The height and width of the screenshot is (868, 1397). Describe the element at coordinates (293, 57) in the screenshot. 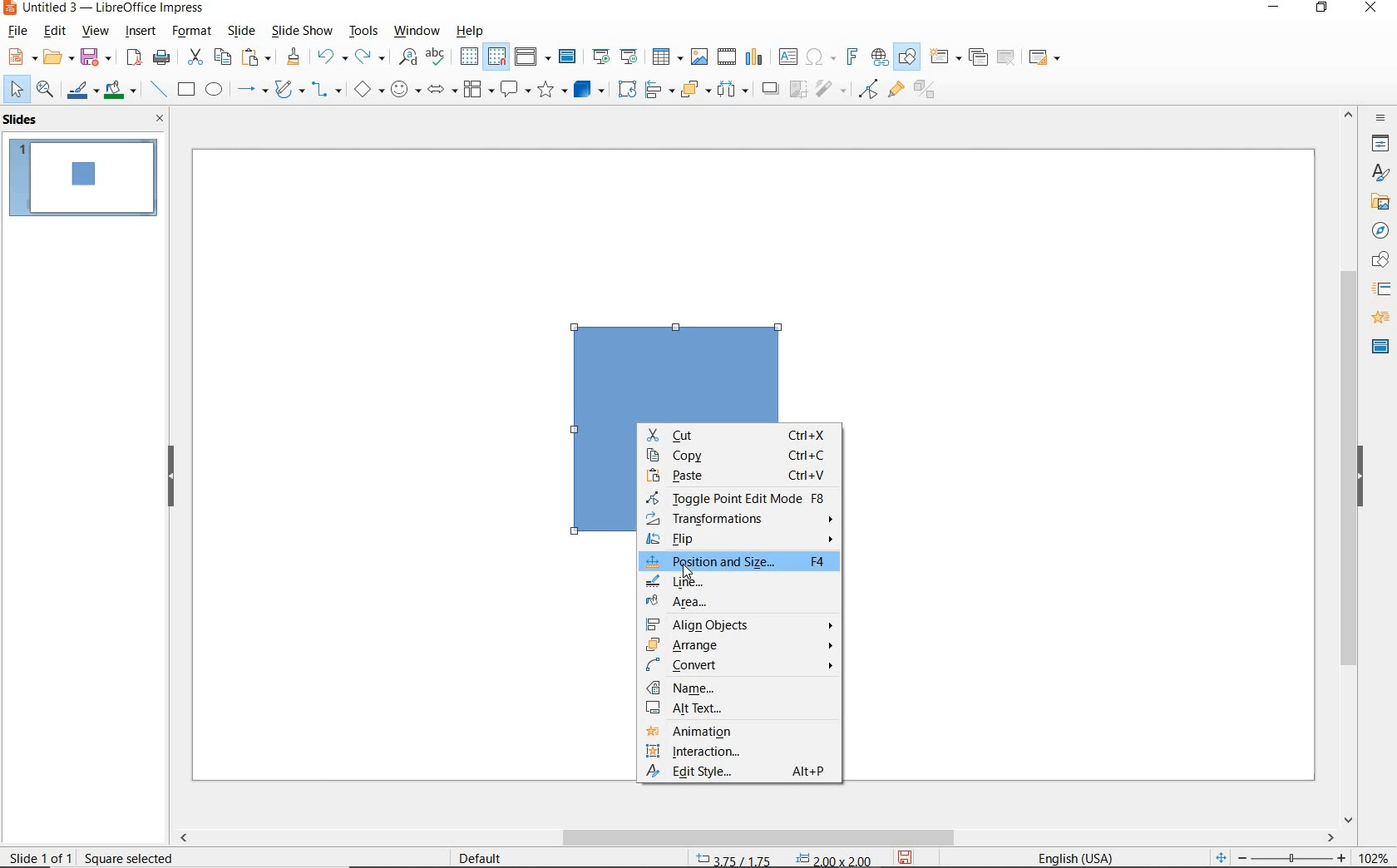

I see `clone formatting` at that location.